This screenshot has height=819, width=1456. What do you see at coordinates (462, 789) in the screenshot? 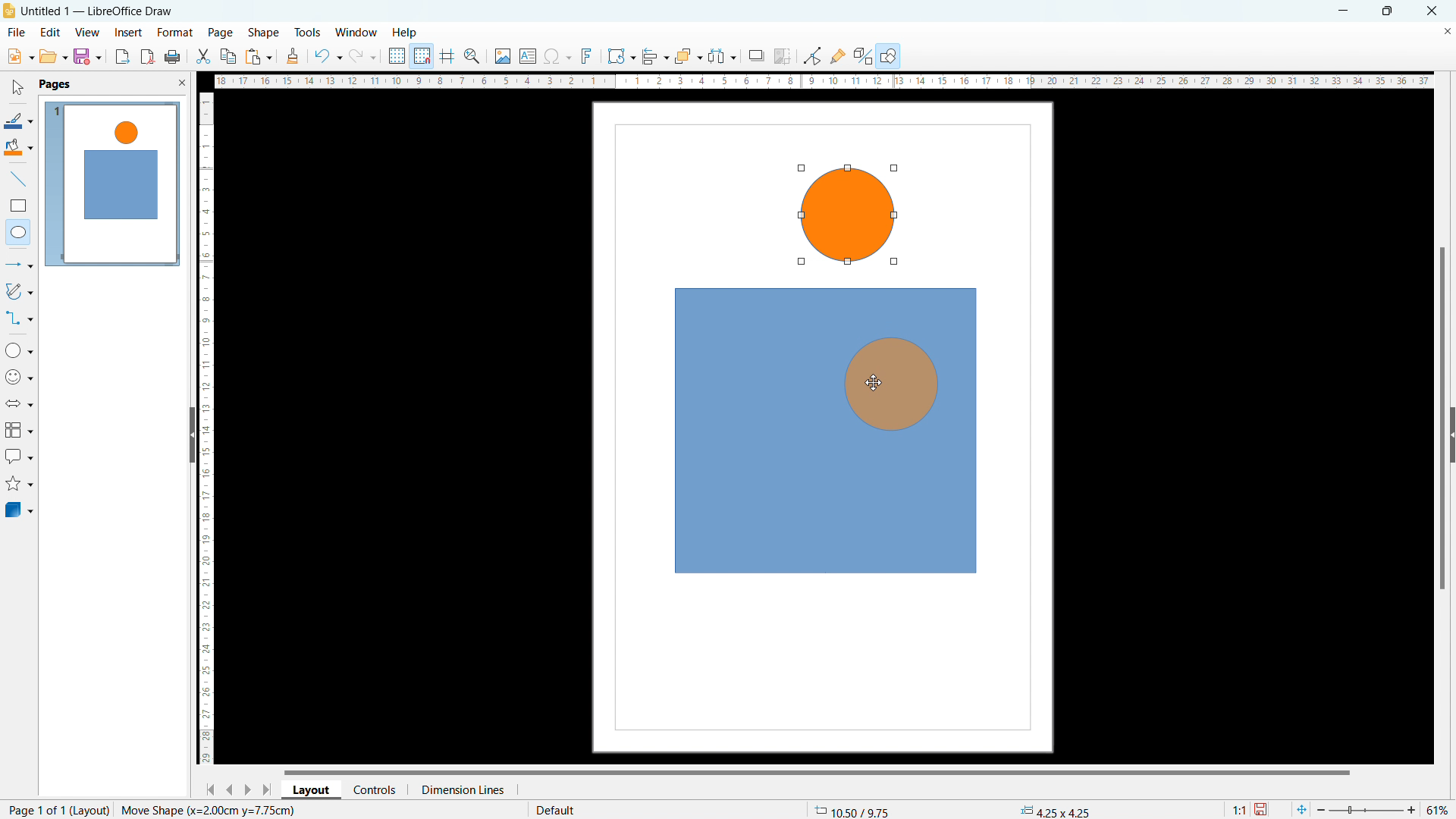
I see `dimension lines` at bounding box center [462, 789].